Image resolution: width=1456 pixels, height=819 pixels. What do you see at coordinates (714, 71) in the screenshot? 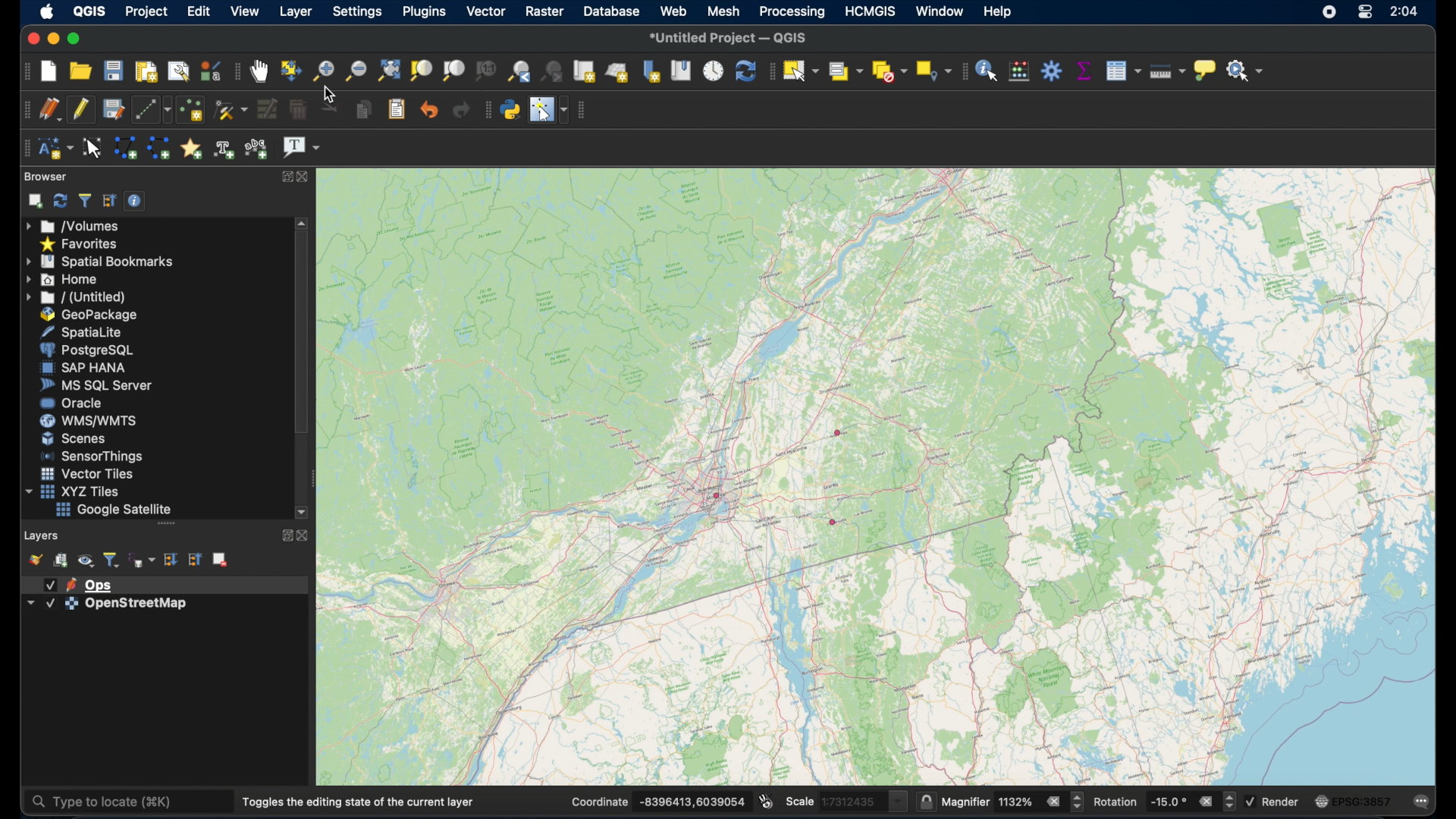
I see `temporal control panel` at bounding box center [714, 71].